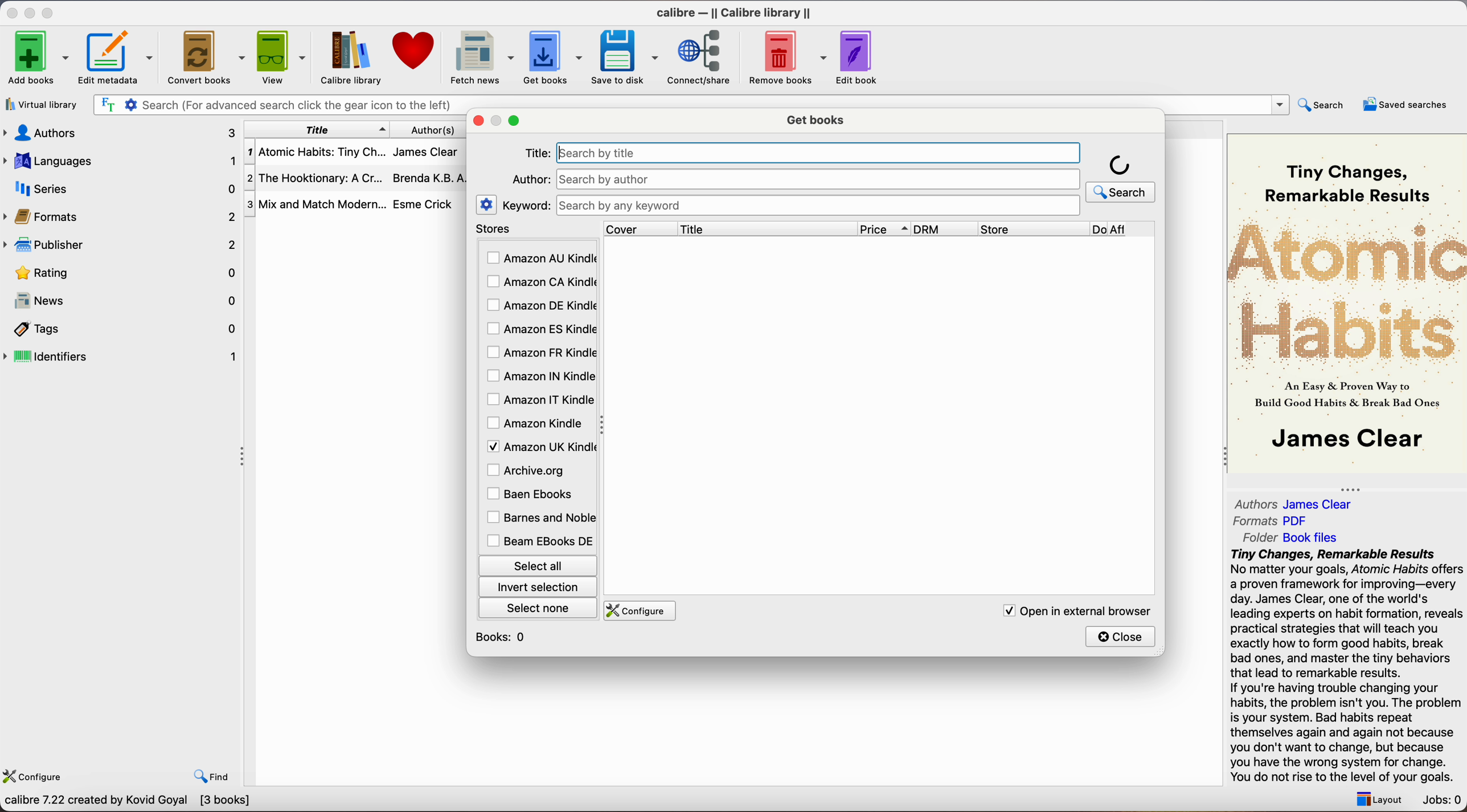  Describe the element at coordinates (1125, 230) in the screenshot. I see `do Af1` at that location.